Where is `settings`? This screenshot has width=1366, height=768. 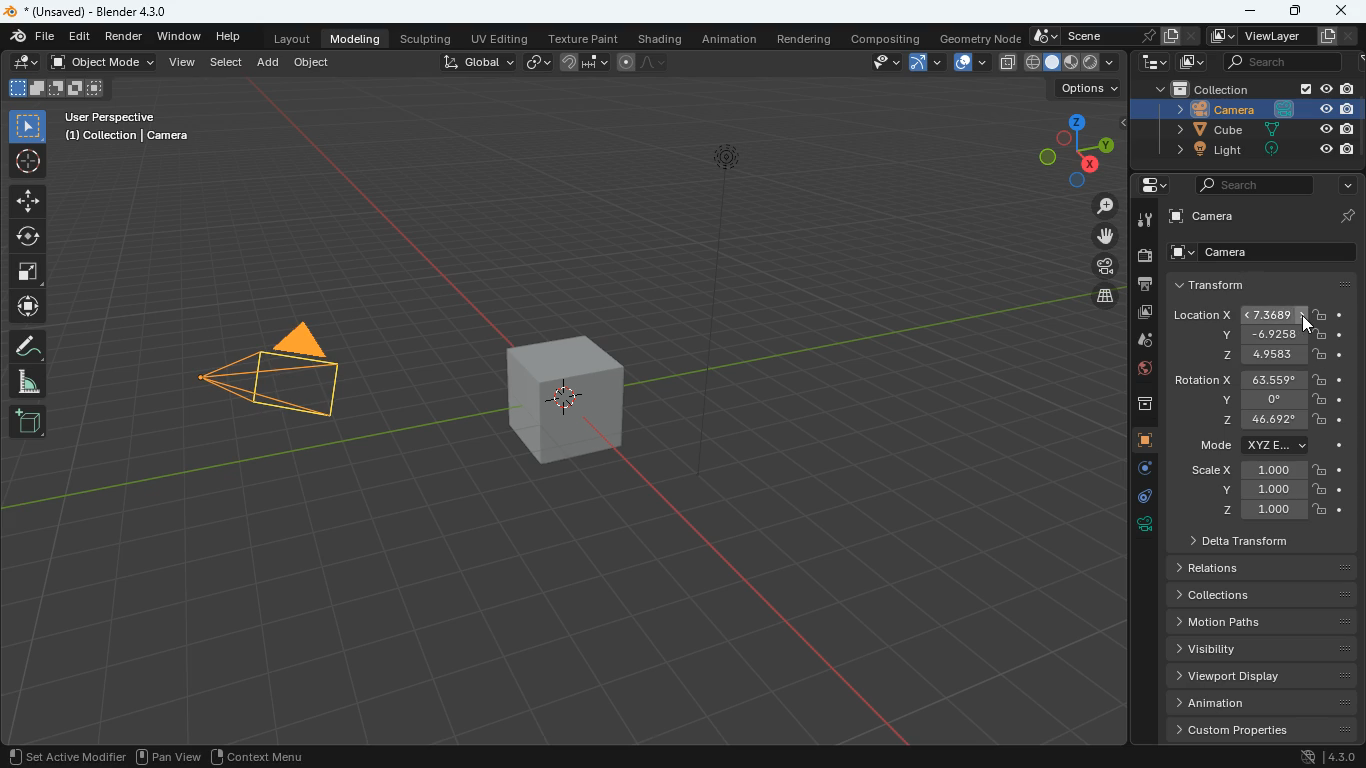
settings is located at coordinates (1136, 469).